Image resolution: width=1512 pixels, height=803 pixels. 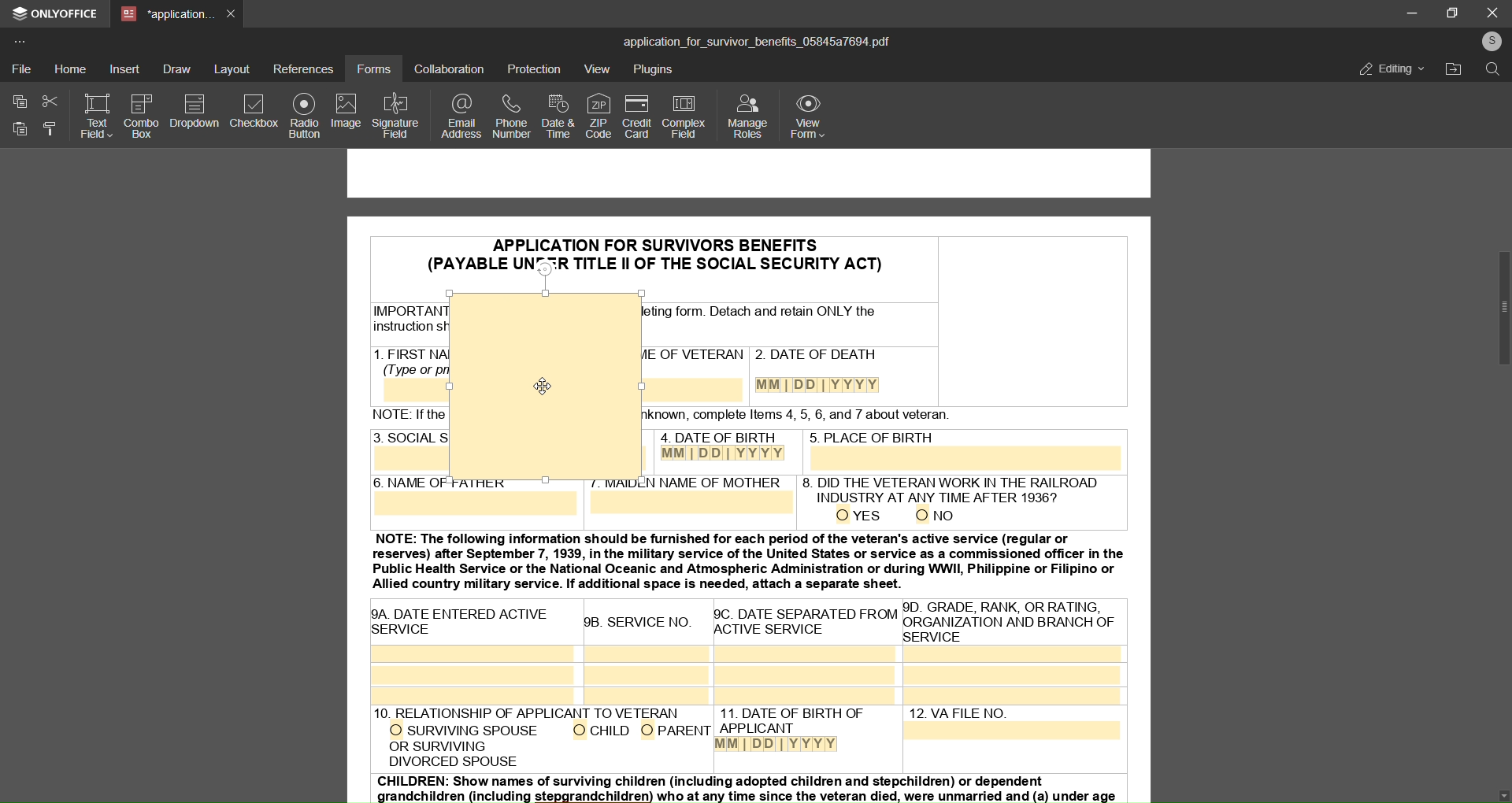 I want to click on move down, so click(x=1494, y=790).